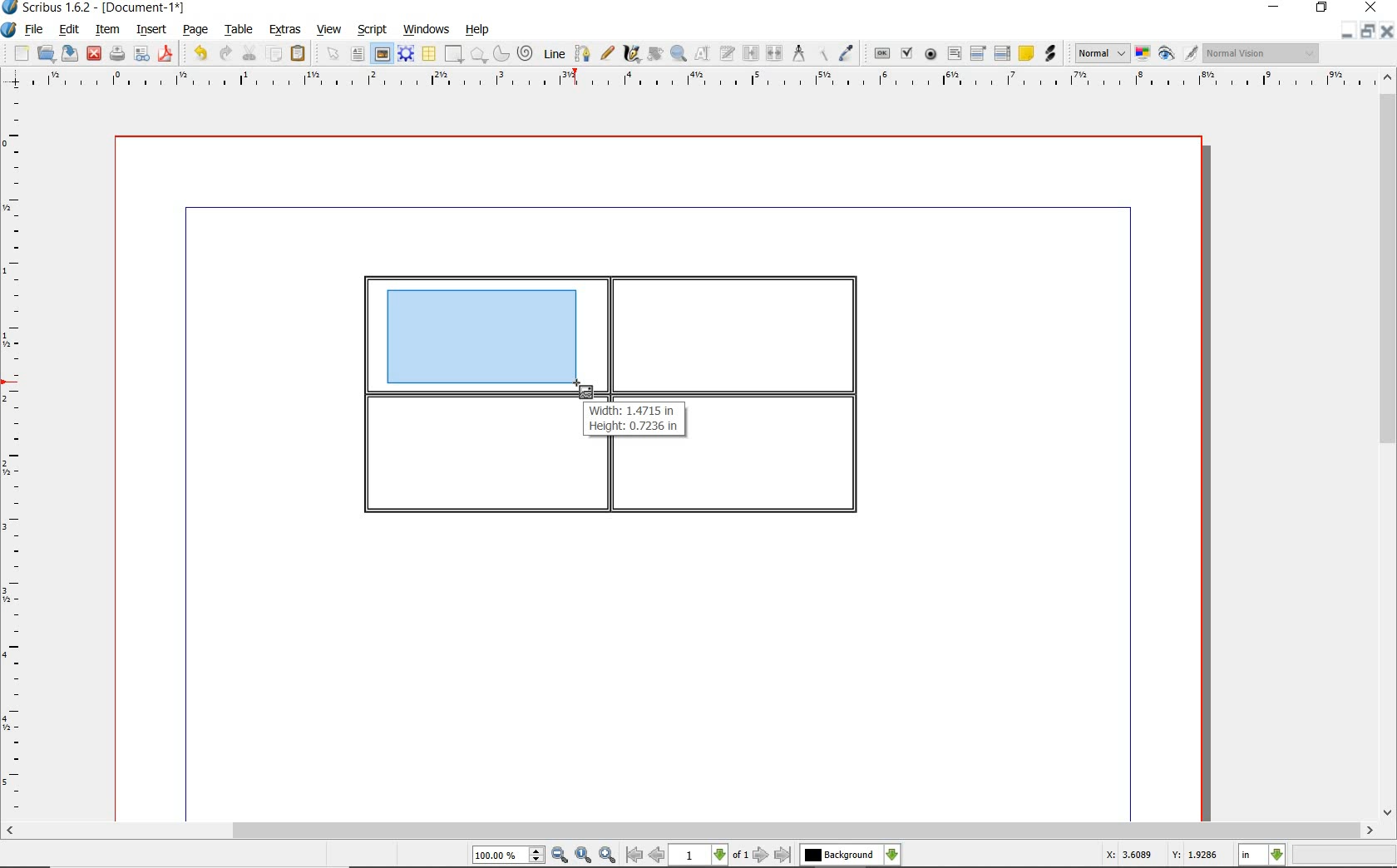 This screenshot has height=868, width=1397. Describe the element at coordinates (703, 54) in the screenshot. I see `edit contents of frame` at that location.